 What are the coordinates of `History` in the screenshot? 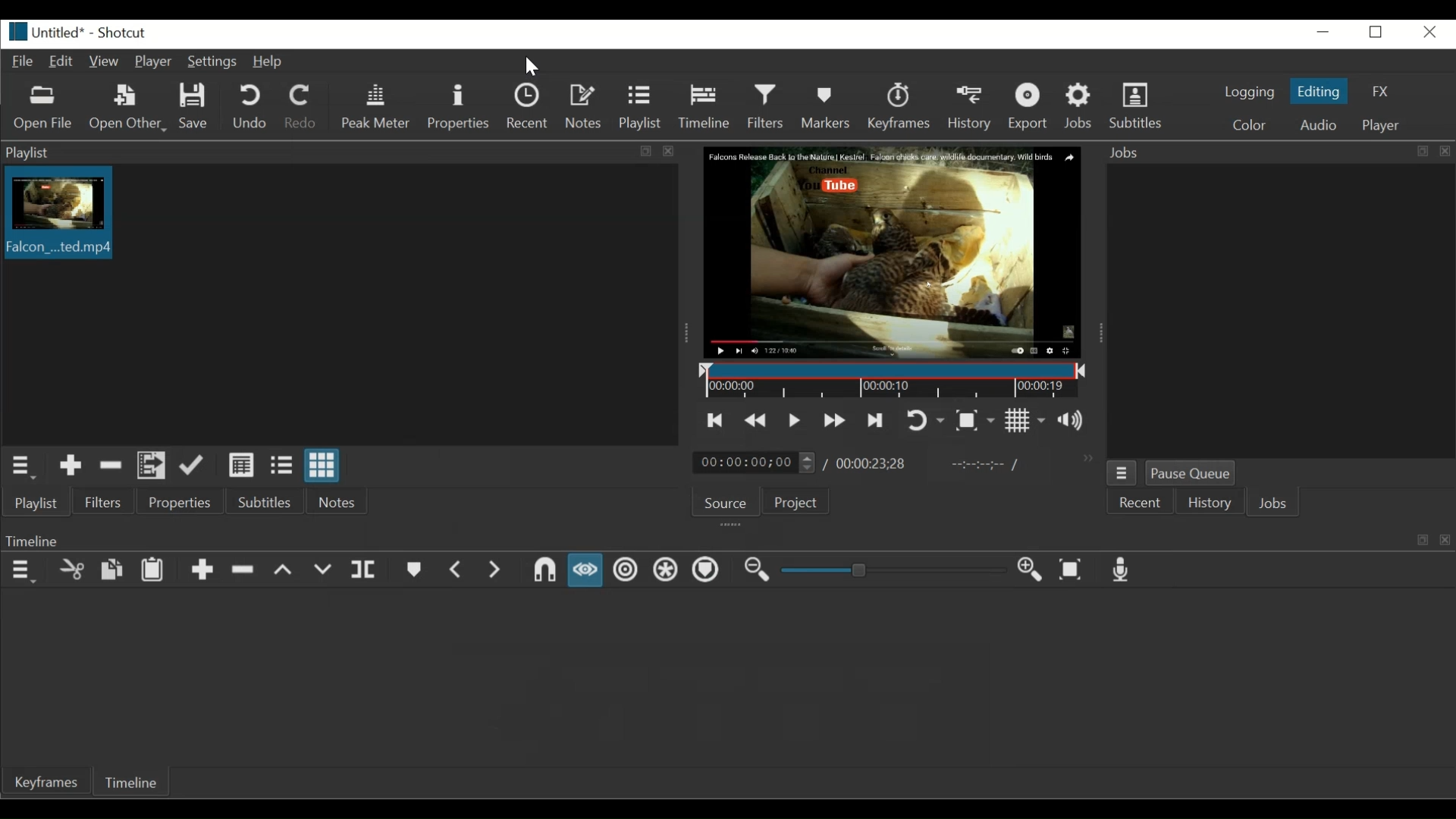 It's located at (971, 109).